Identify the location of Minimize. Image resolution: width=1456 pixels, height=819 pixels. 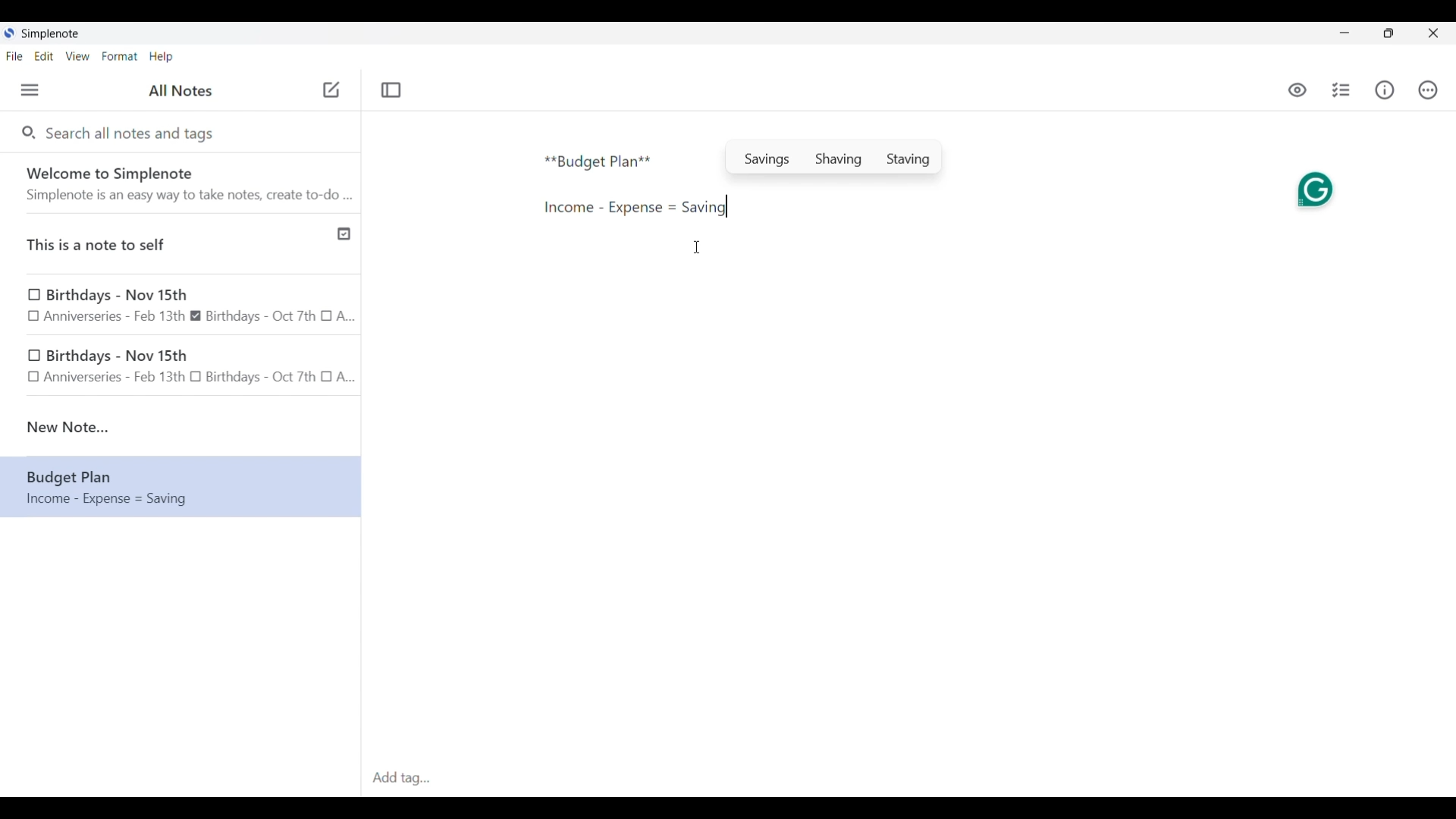
(1345, 33).